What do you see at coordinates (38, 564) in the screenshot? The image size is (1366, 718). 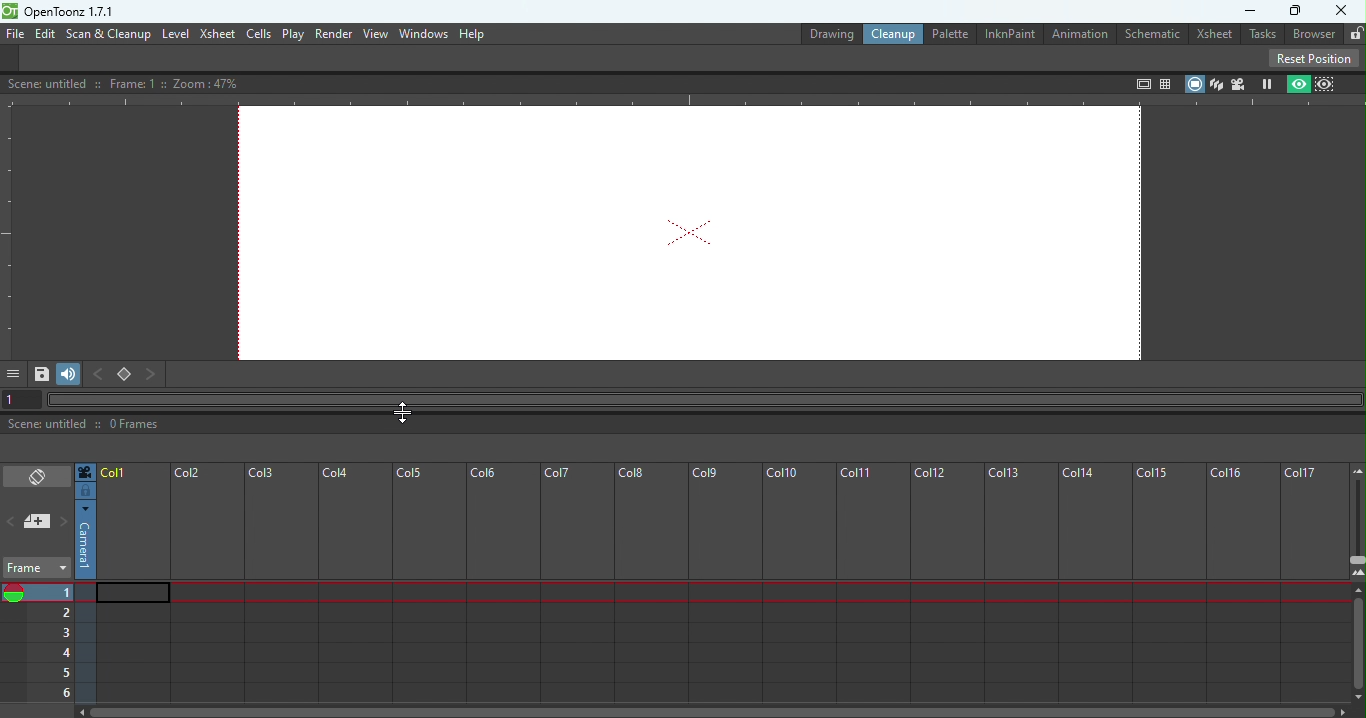 I see `Frame` at bounding box center [38, 564].